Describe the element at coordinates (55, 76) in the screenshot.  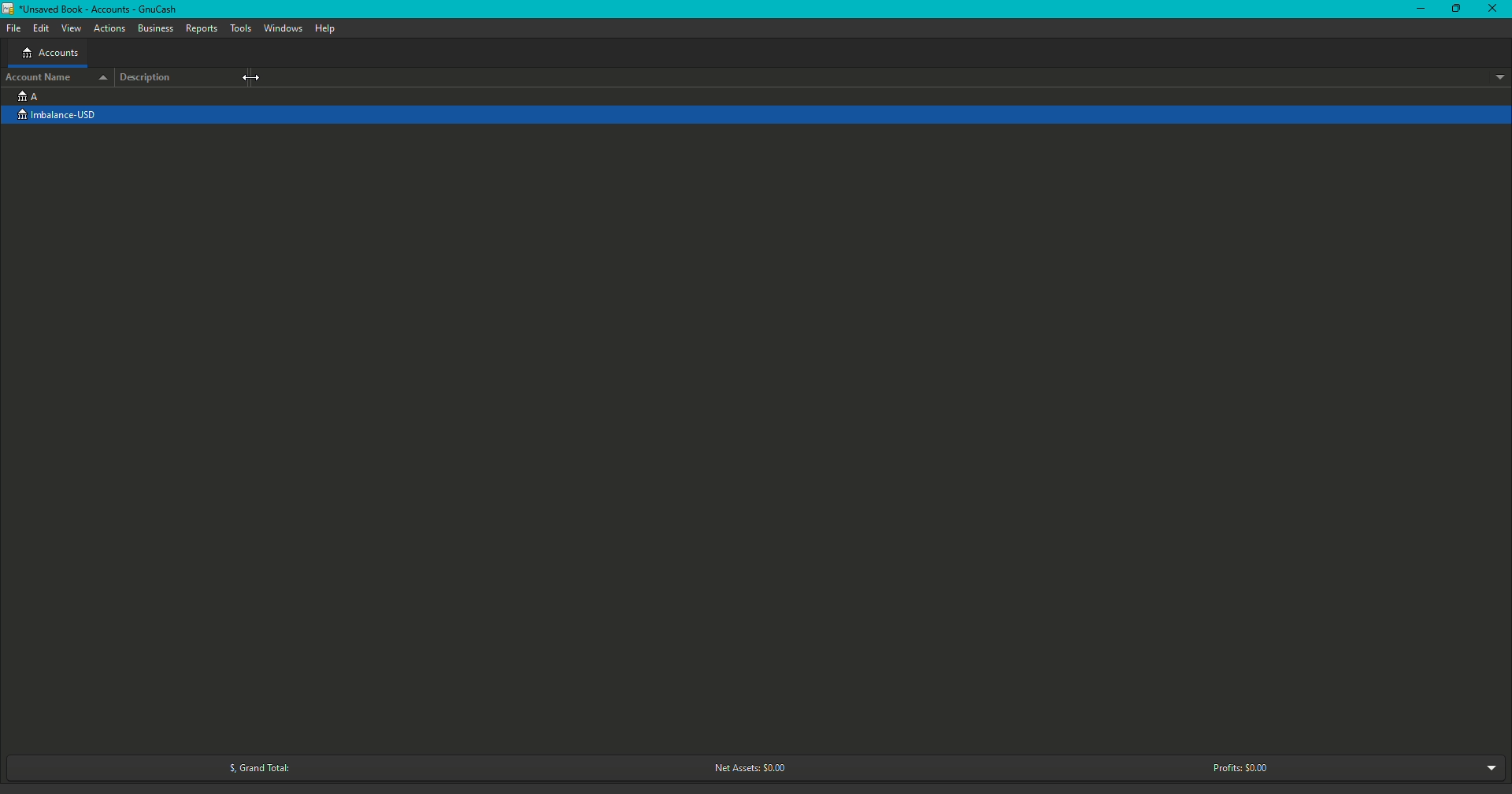
I see `Account Name` at that location.